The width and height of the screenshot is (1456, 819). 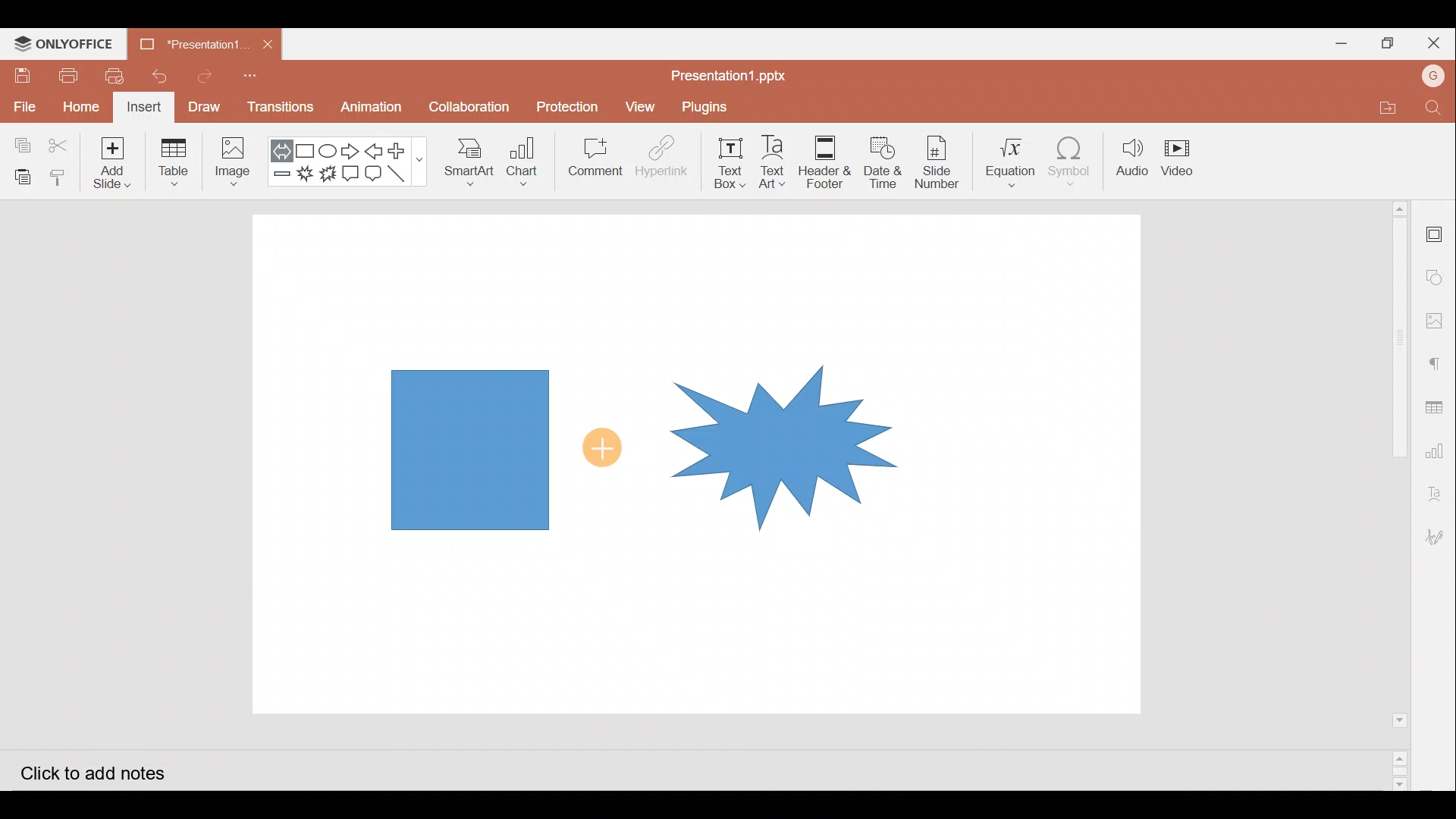 What do you see at coordinates (164, 77) in the screenshot?
I see `Undo` at bounding box center [164, 77].